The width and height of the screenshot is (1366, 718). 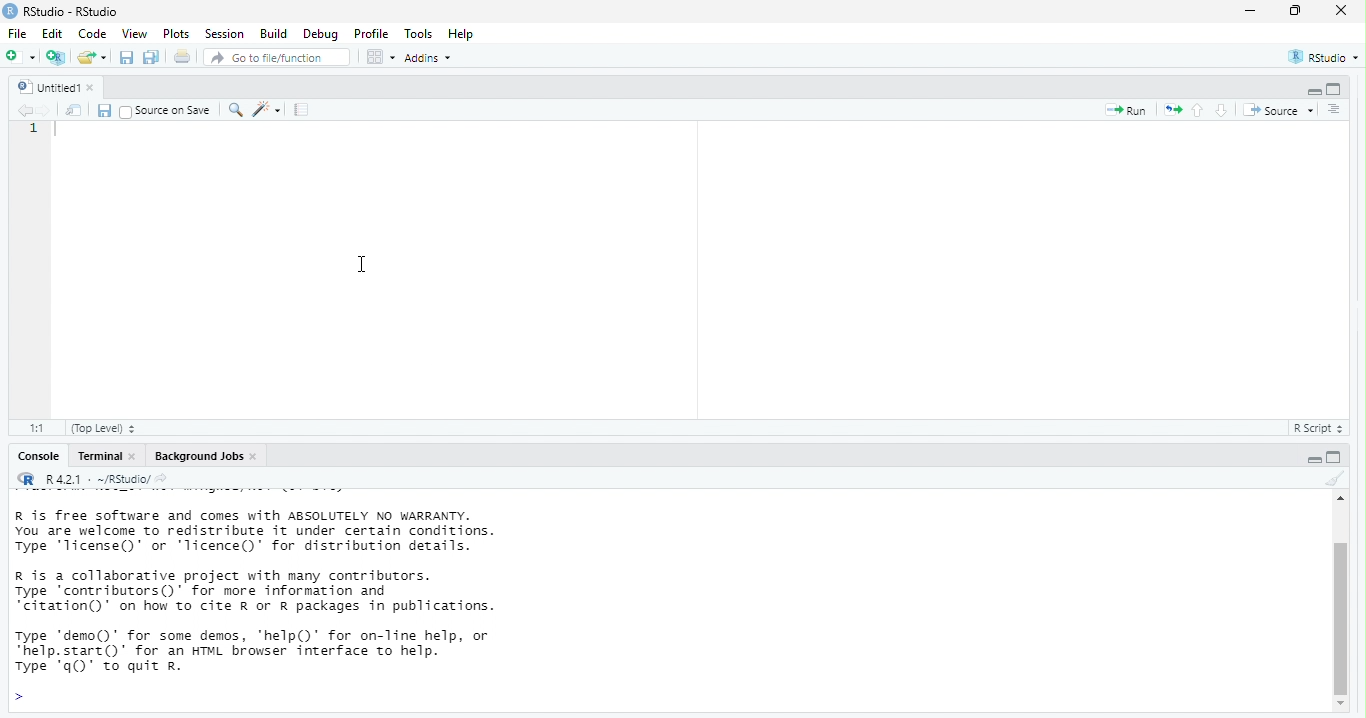 I want to click on File, so click(x=18, y=34).